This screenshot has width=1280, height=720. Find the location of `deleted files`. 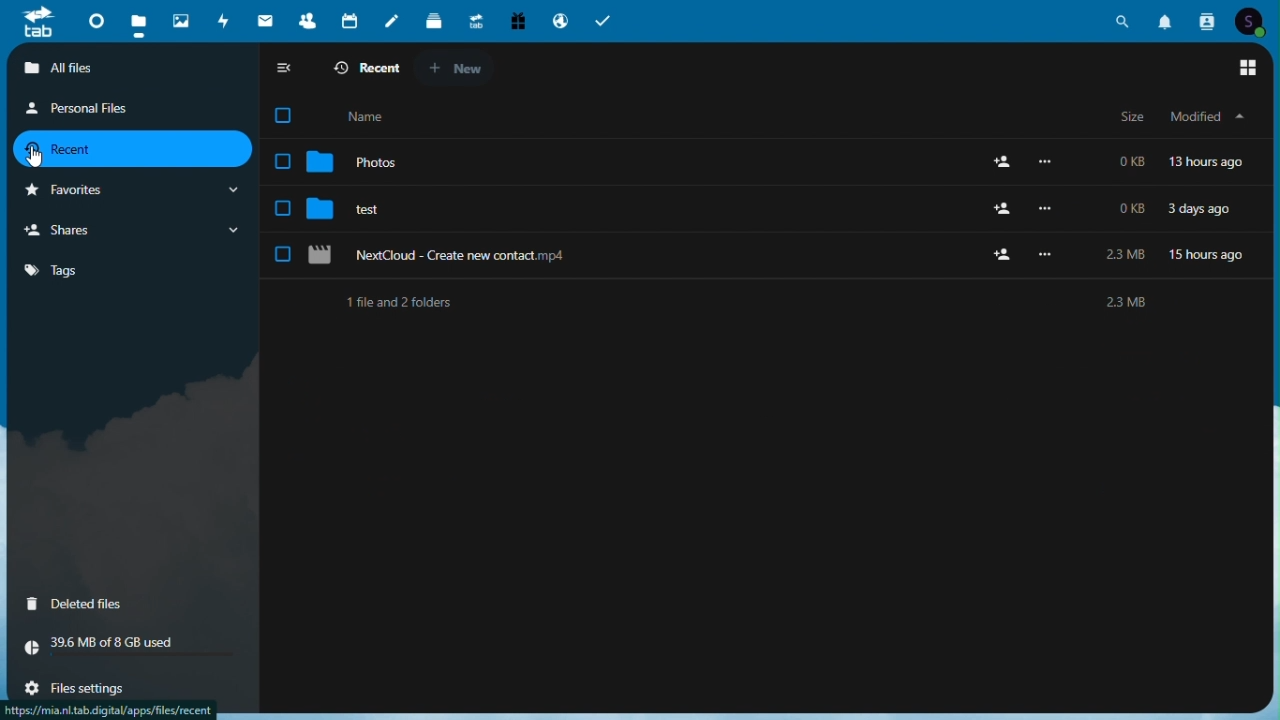

deleted files is located at coordinates (131, 605).